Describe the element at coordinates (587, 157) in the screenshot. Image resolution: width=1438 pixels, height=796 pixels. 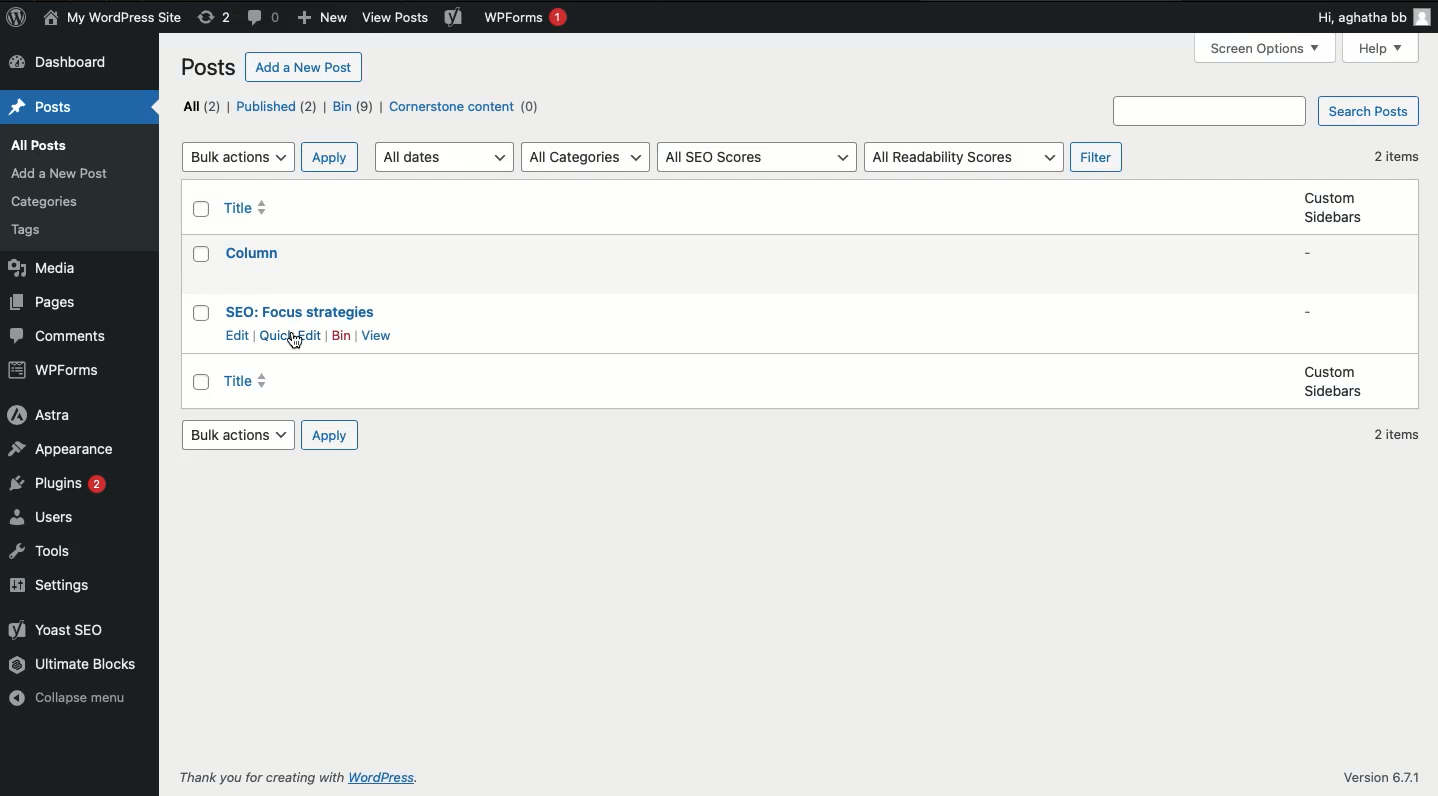
I see `All categories` at that location.